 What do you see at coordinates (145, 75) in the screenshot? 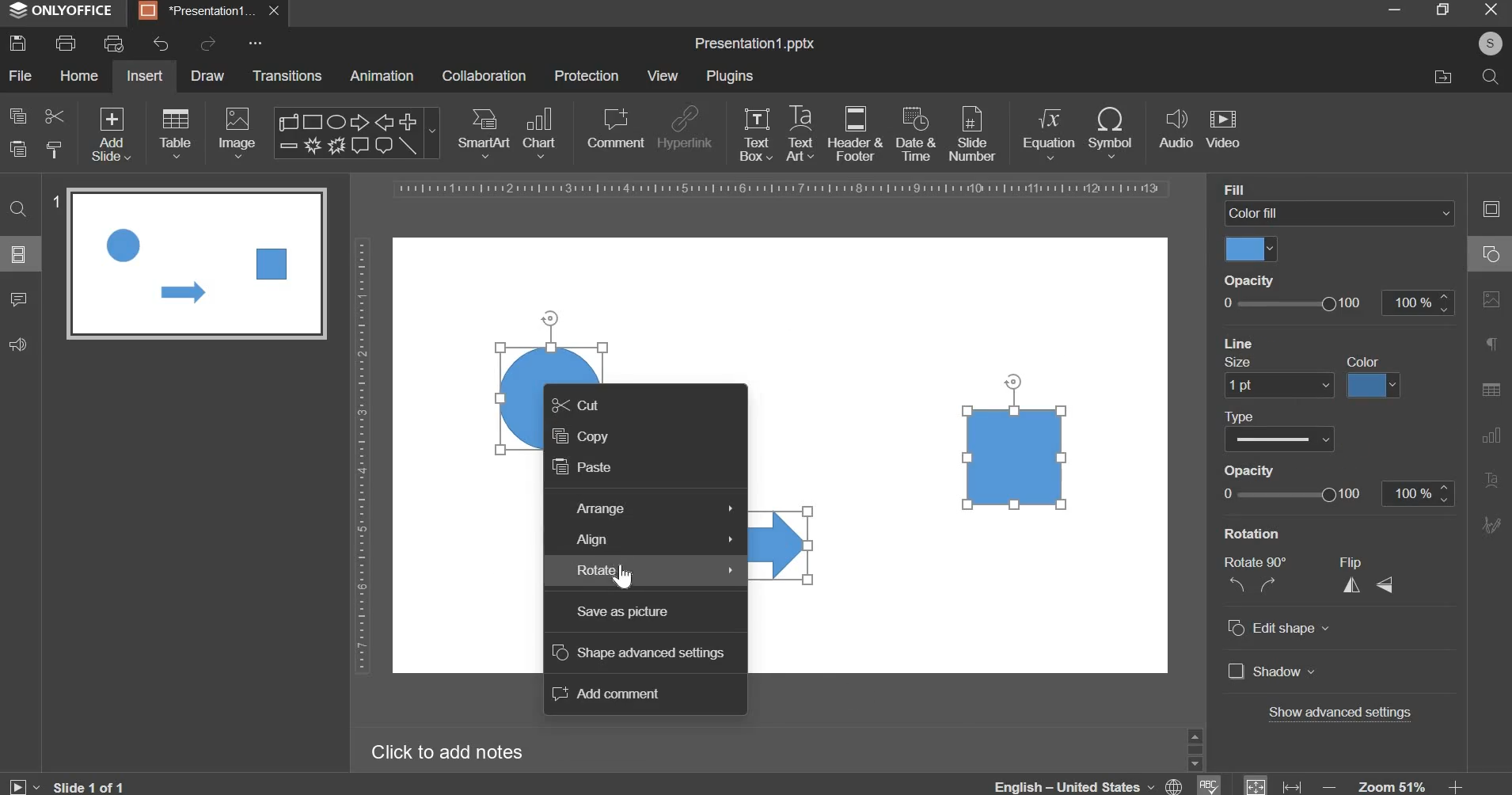
I see `insert` at bounding box center [145, 75].